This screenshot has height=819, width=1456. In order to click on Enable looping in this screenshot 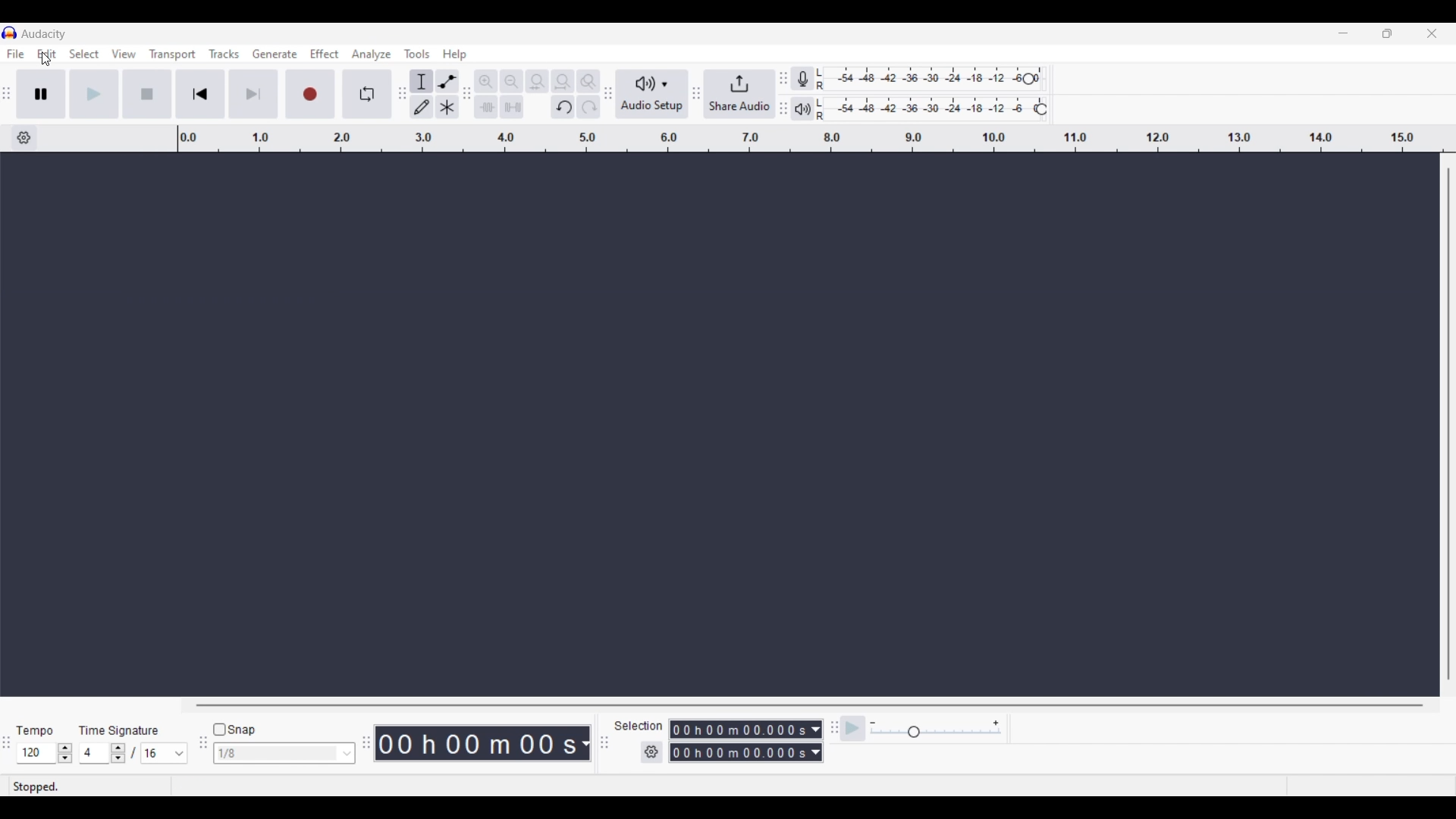, I will do `click(368, 94)`.